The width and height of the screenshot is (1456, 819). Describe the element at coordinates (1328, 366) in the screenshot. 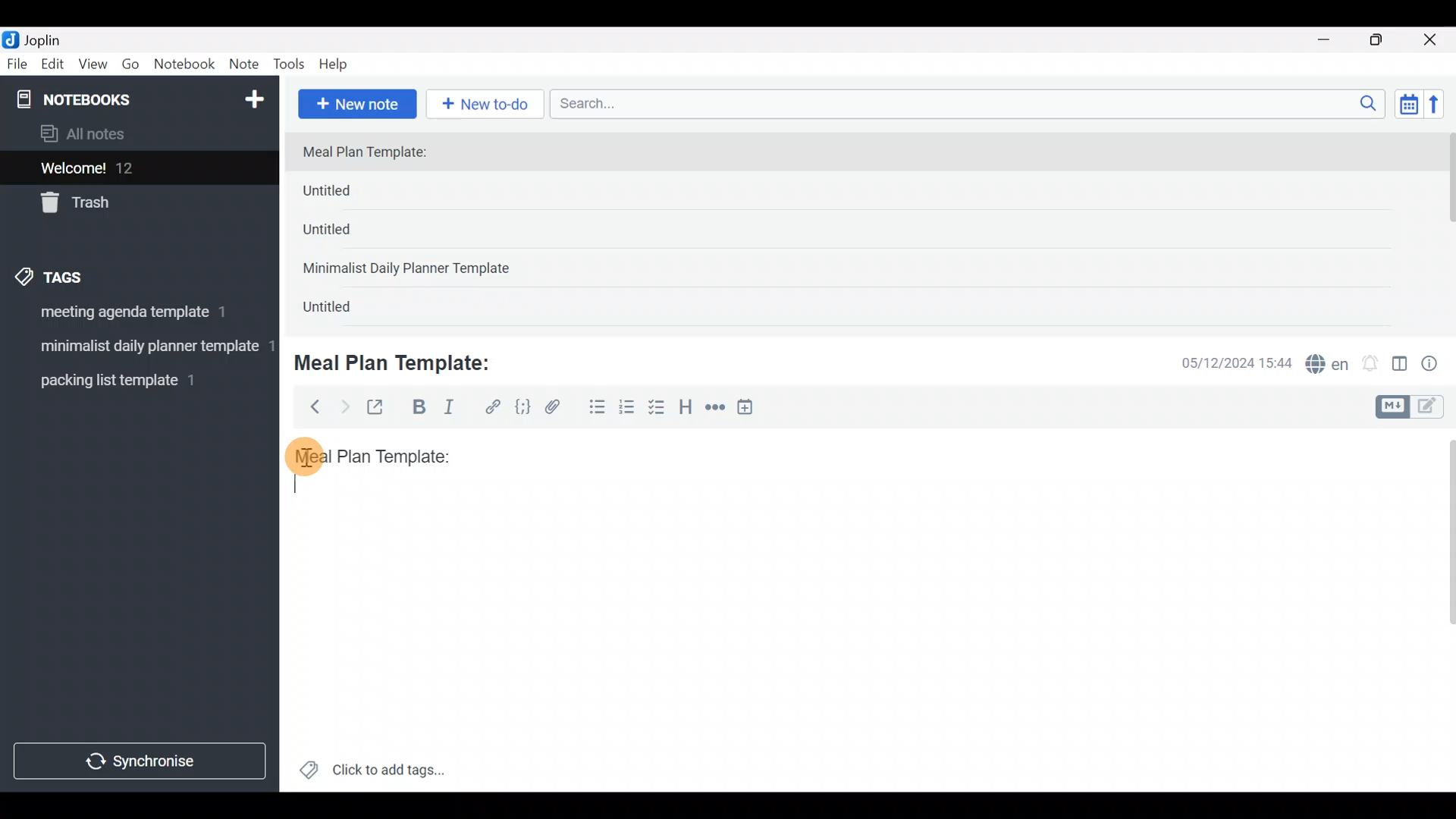

I see `Spelling` at that location.